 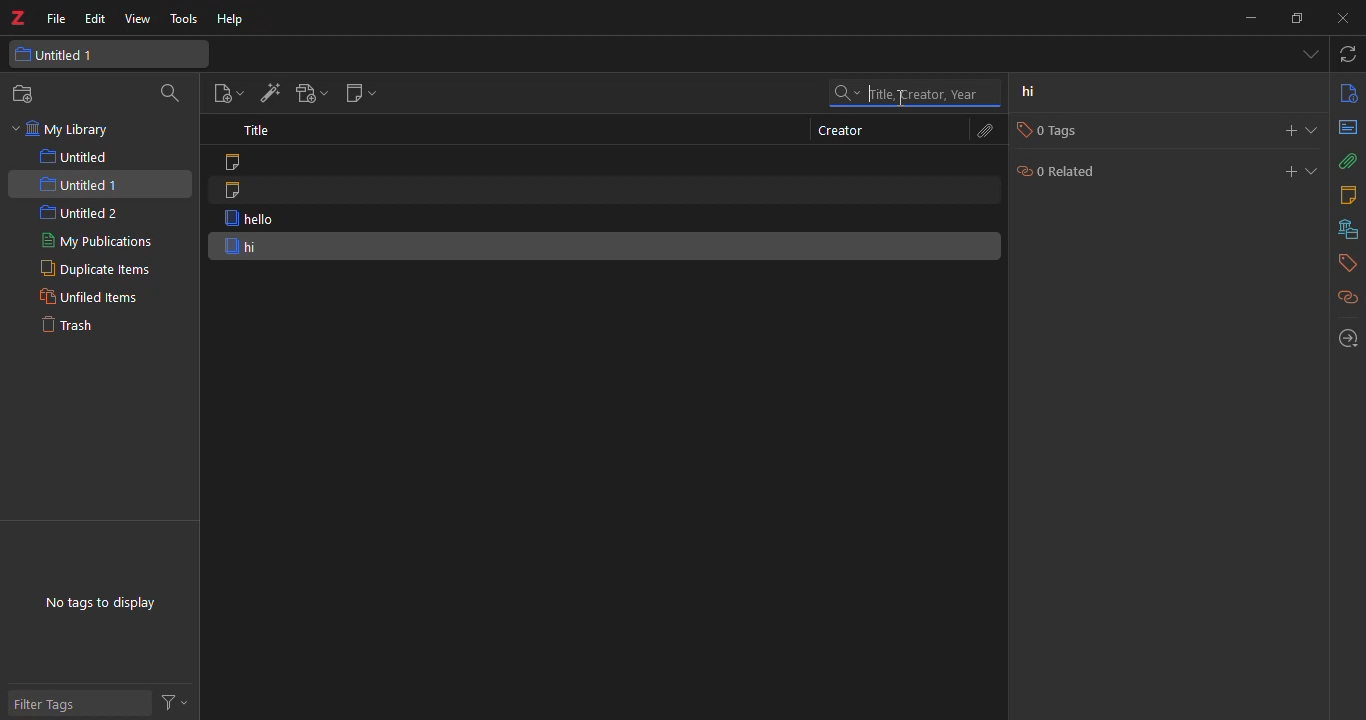 I want to click on info, so click(x=1348, y=92).